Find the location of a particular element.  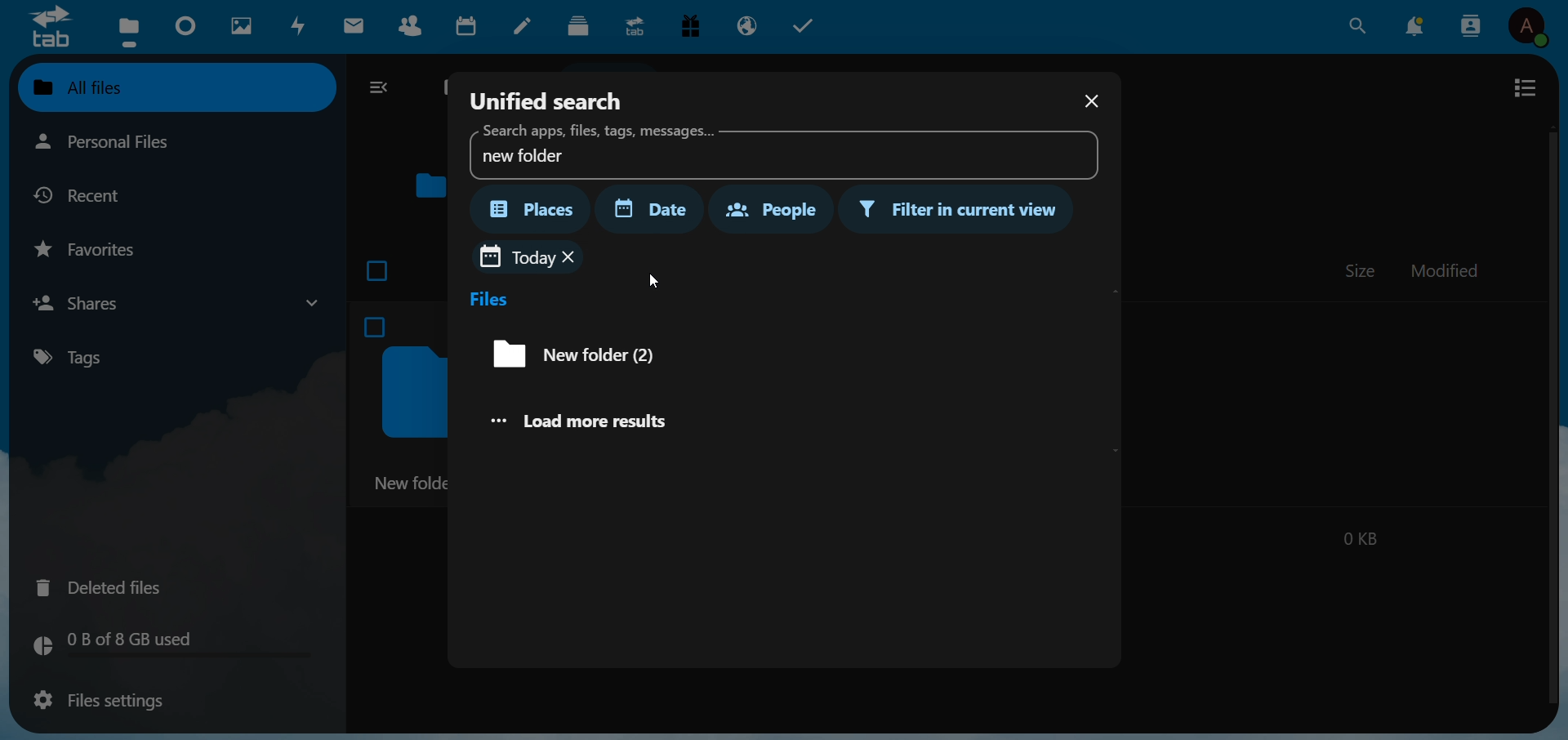

new folder is located at coordinates (778, 150).